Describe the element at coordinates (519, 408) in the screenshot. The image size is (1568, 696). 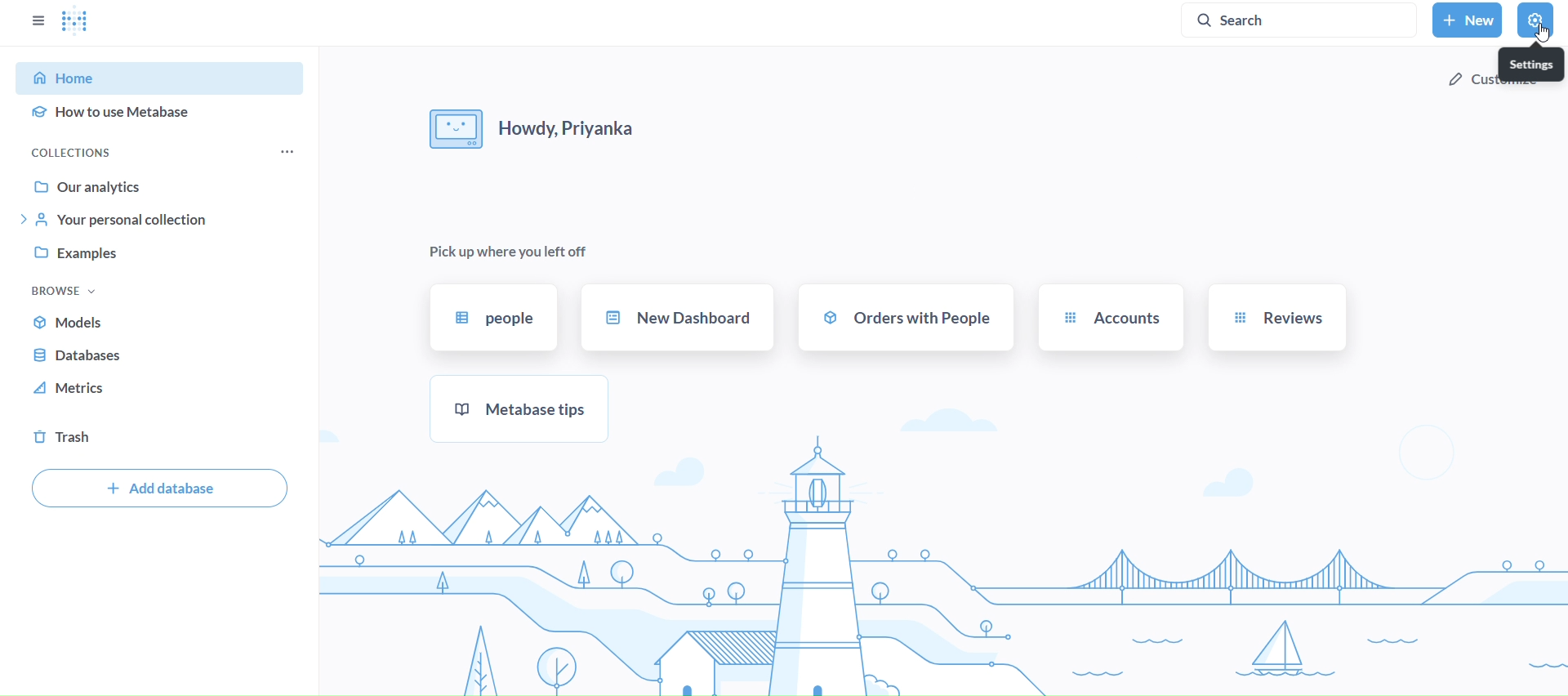
I see `metabase` at that location.